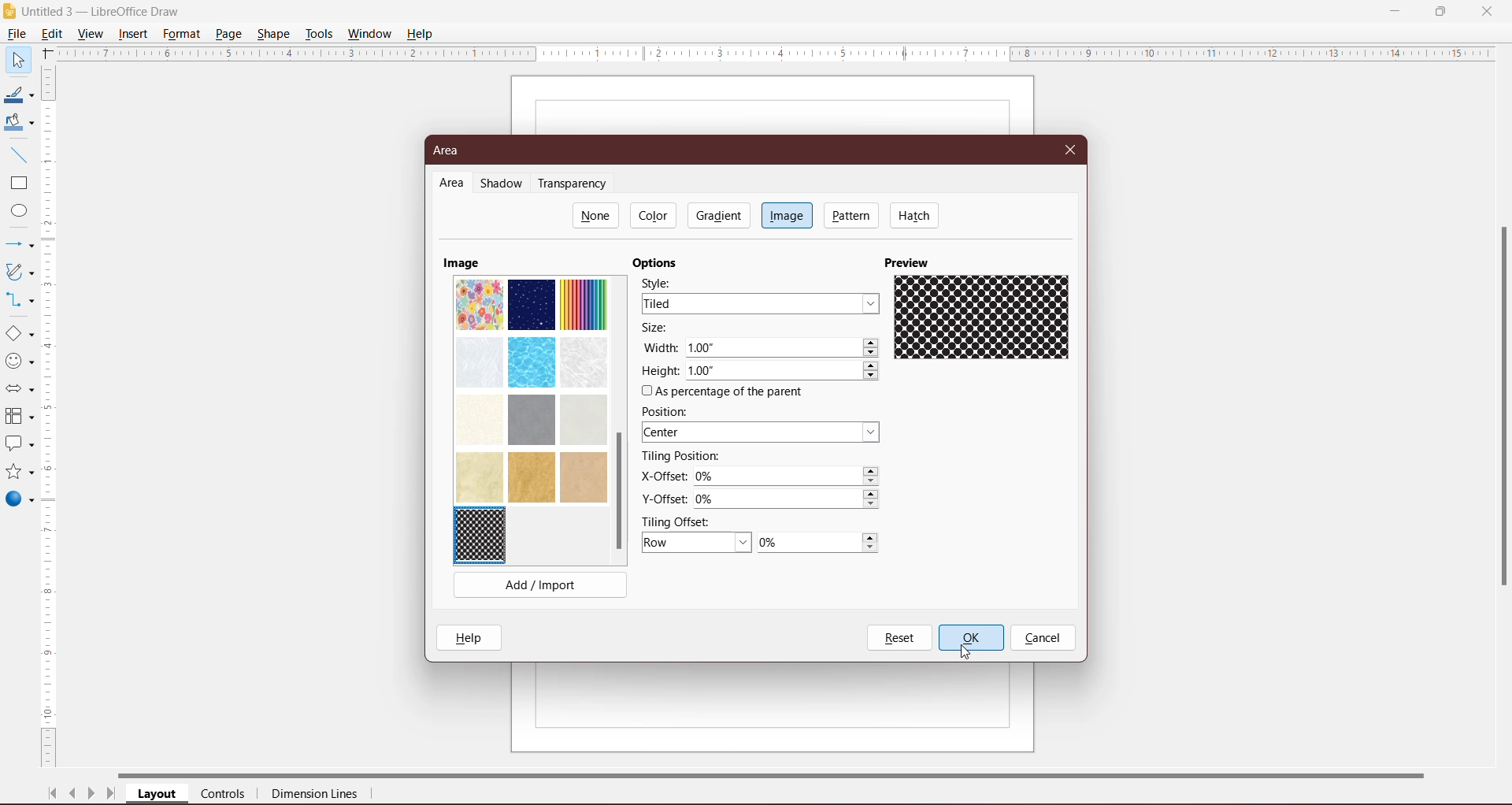 Image resolution: width=1512 pixels, height=805 pixels. Describe the element at coordinates (19, 362) in the screenshot. I see `Symbol Shapes` at that location.